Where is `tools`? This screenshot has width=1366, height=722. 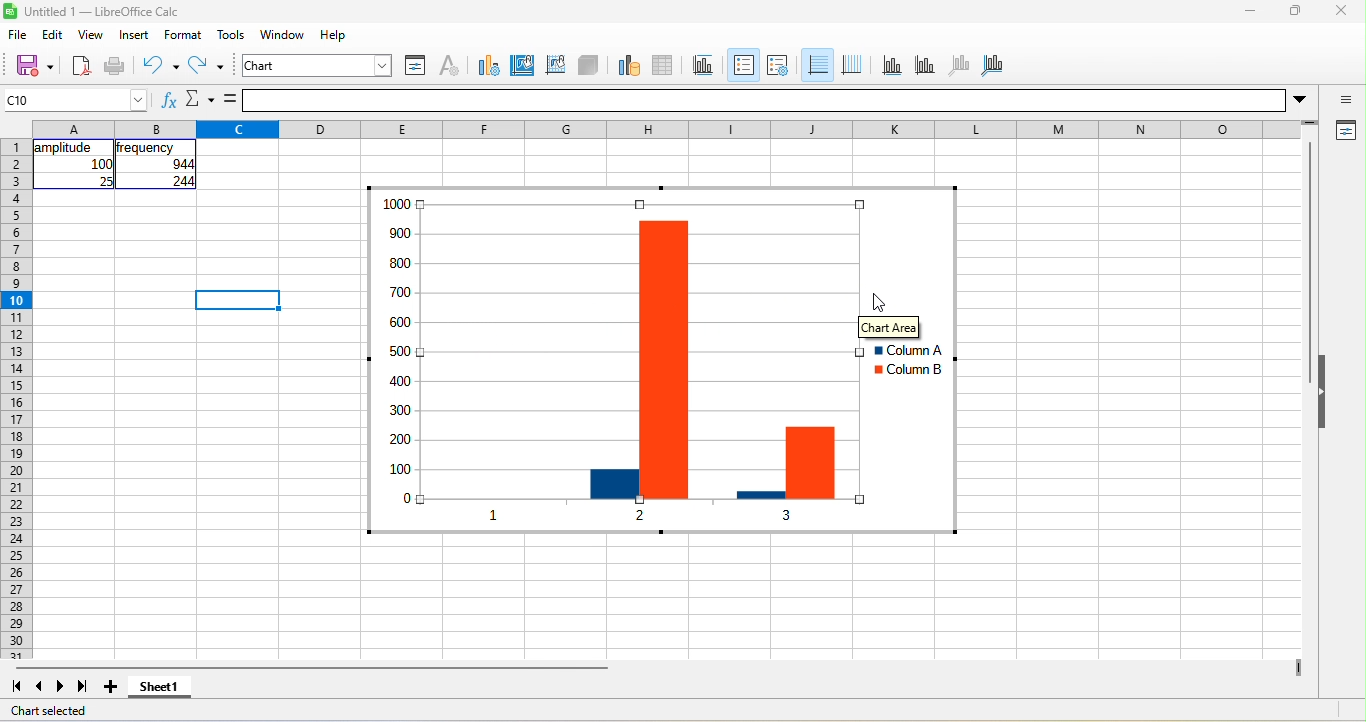
tools is located at coordinates (231, 35).